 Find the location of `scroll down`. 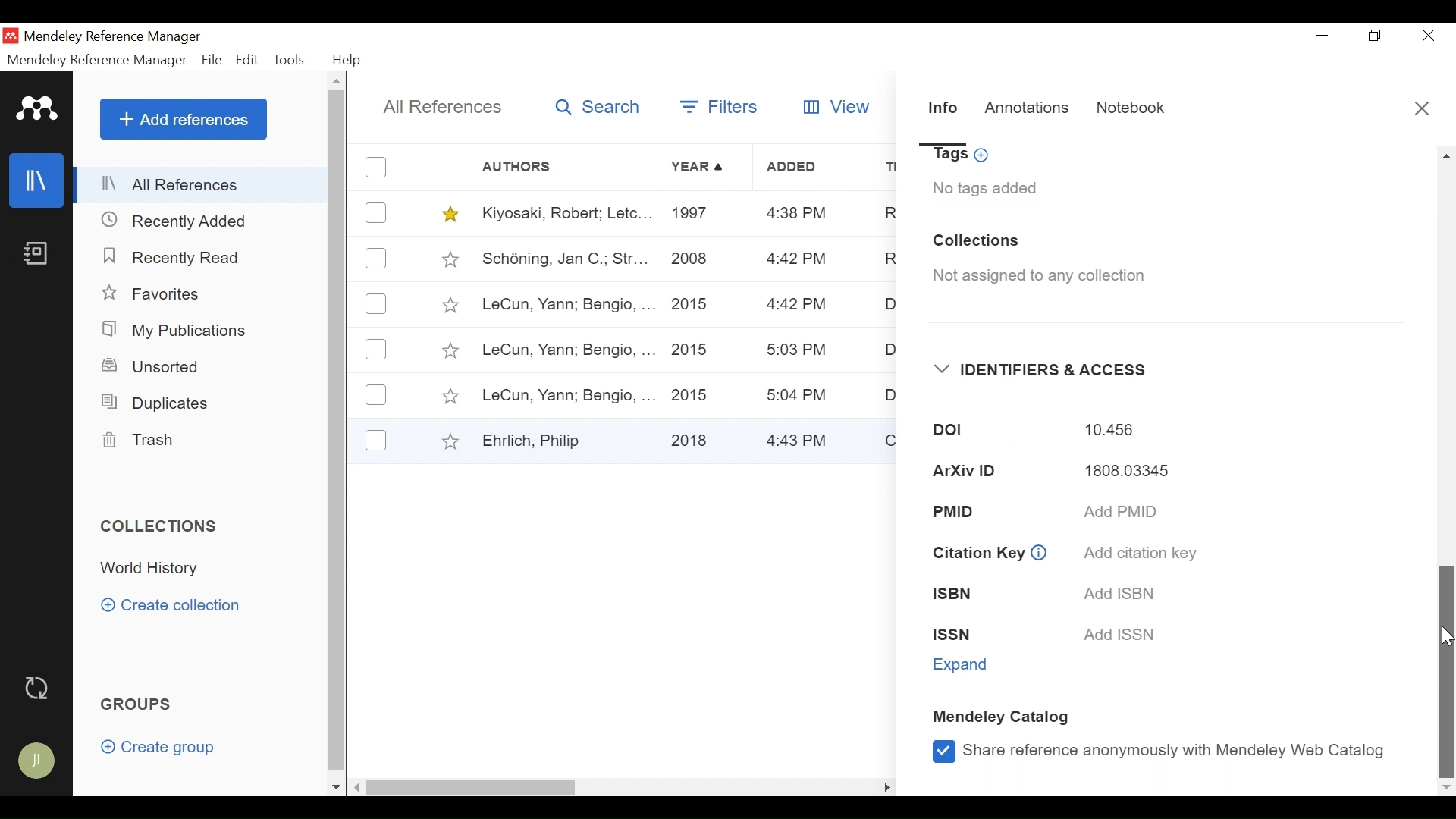

scroll down is located at coordinates (336, 788).